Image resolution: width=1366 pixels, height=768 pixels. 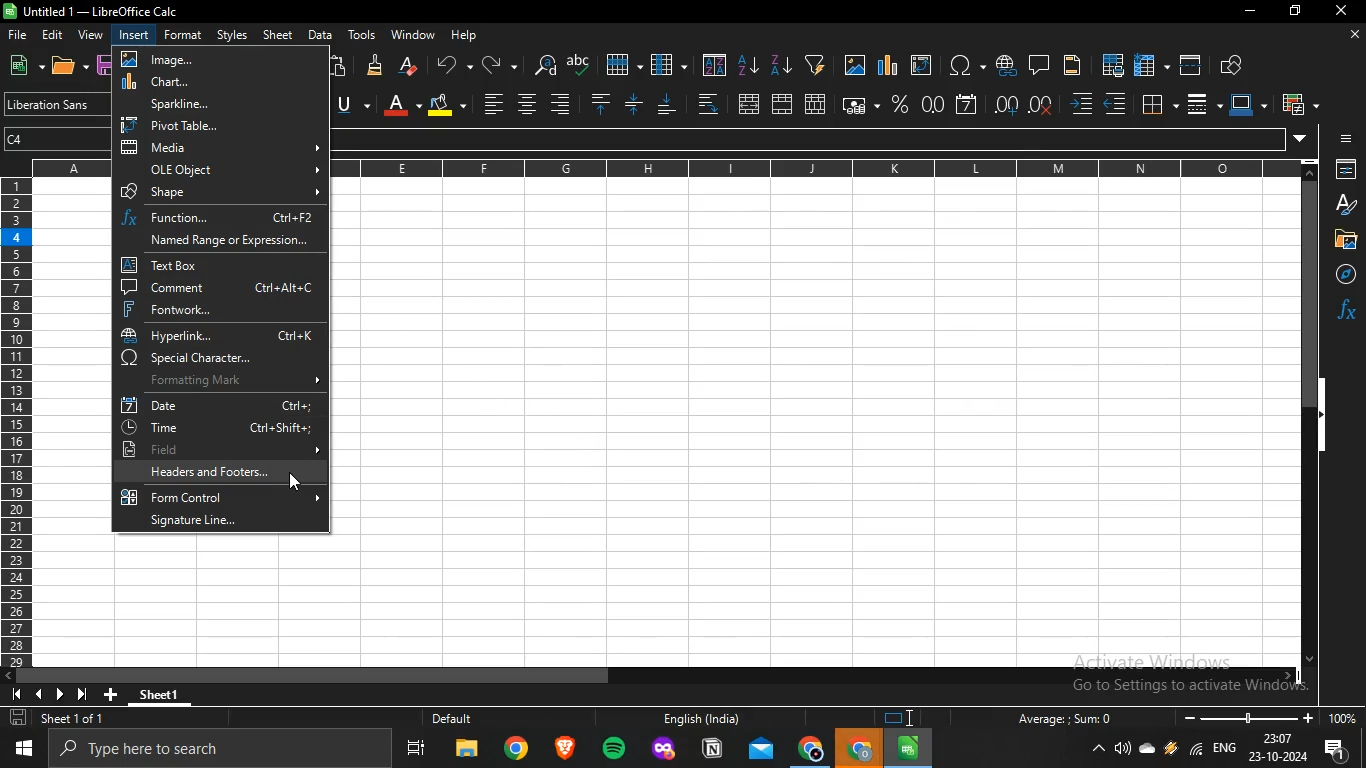 What do you see at coordinates (1146, 64) in the screenshot?
I see `freeze rows and columns` at bounding box center [1146, 64].